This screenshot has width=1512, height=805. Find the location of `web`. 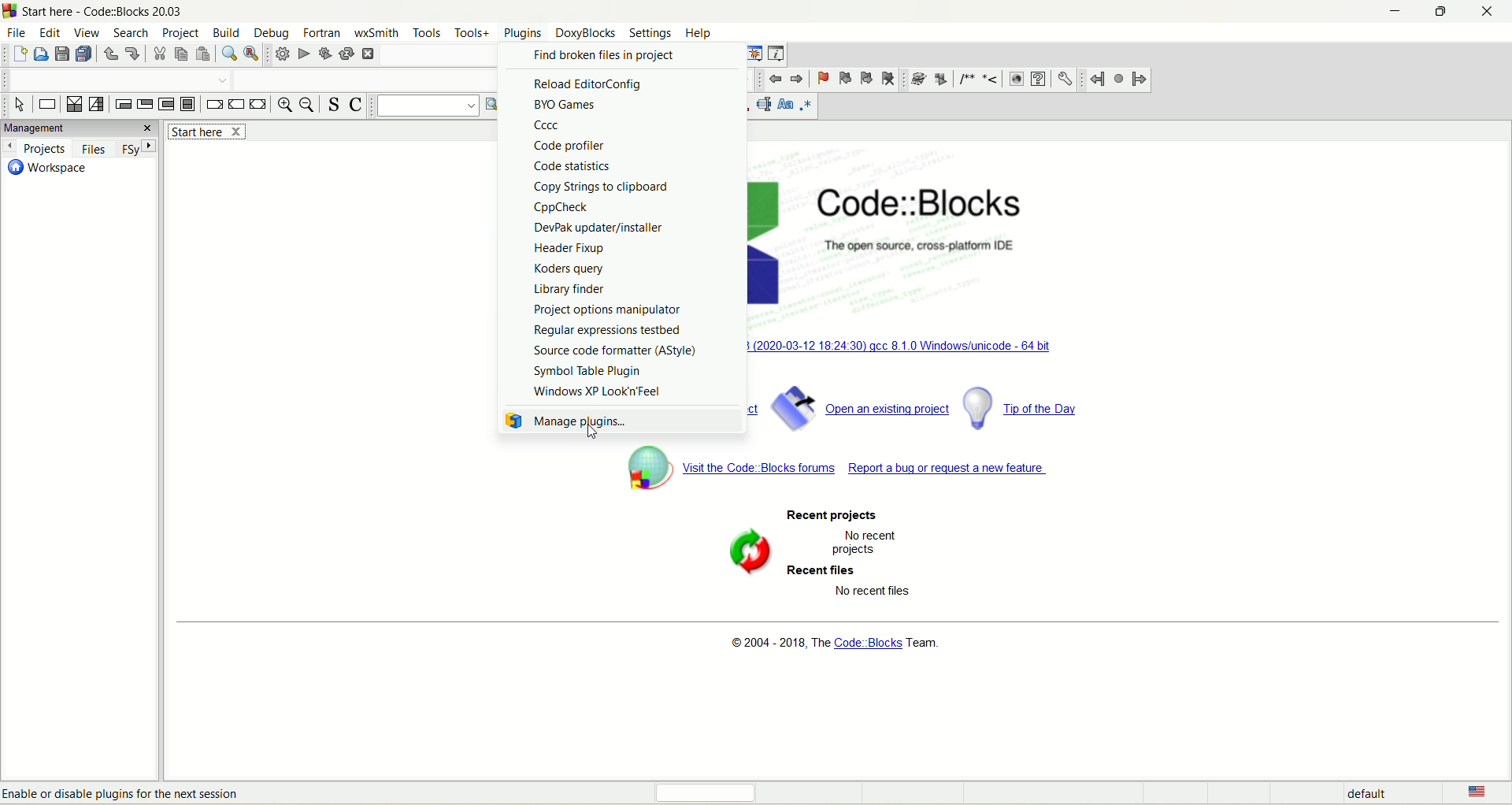

web is located at coordinates (1016, 80).